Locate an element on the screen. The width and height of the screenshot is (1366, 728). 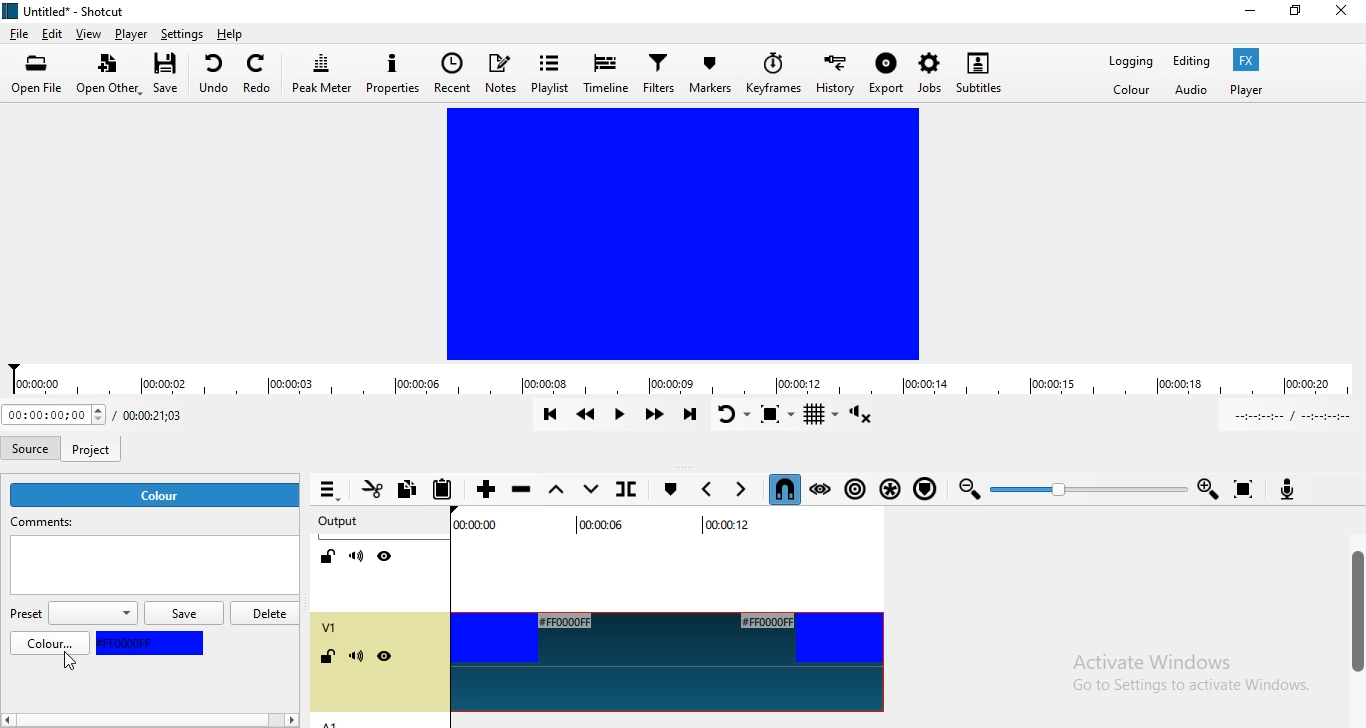
 is located at coordinates (1089, 489).